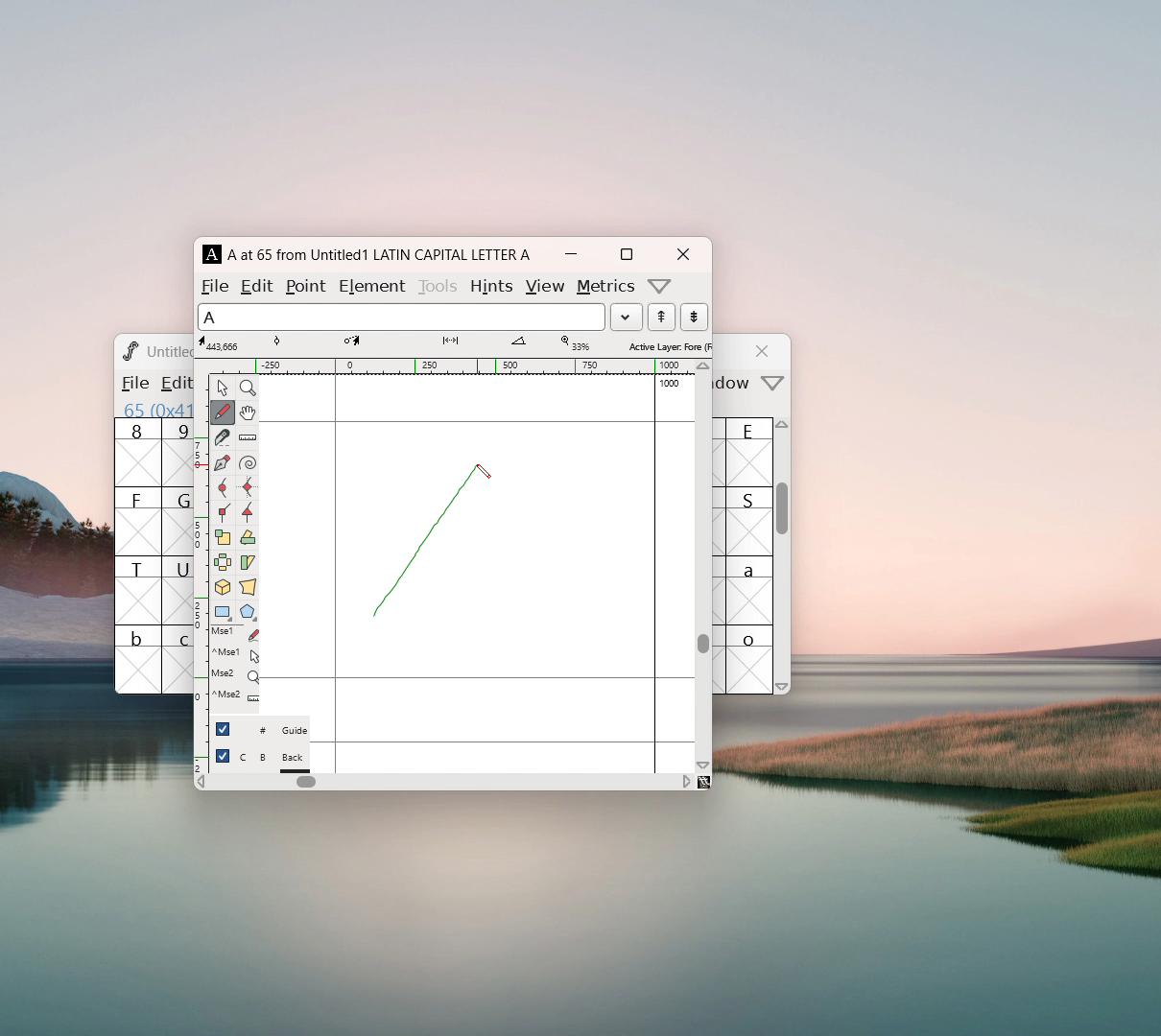 The image size is (1161, 1036). What do you see at coordinates (224, 613) in the screenshot?
I see `rectangle or ellipse` at bounding box center [224, 613].